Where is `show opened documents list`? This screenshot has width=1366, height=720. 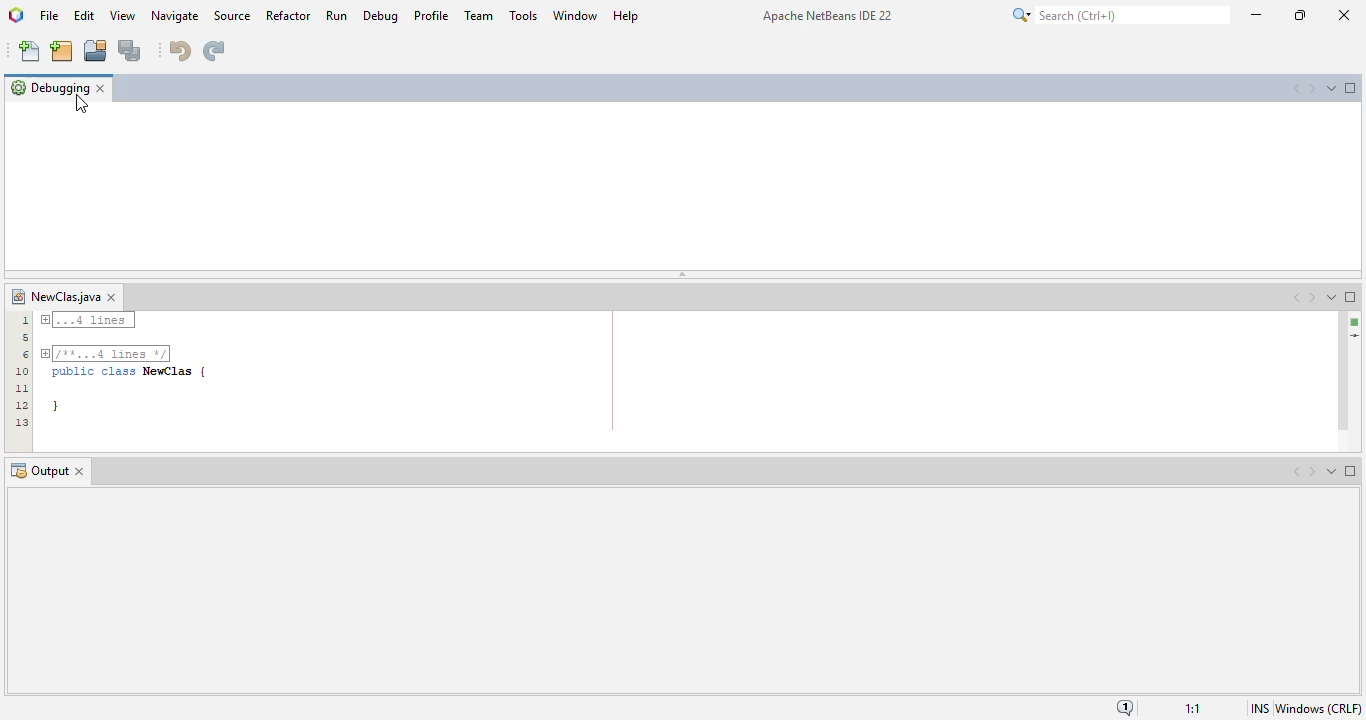
show opened documents list is located at coordinates (1332, 297).